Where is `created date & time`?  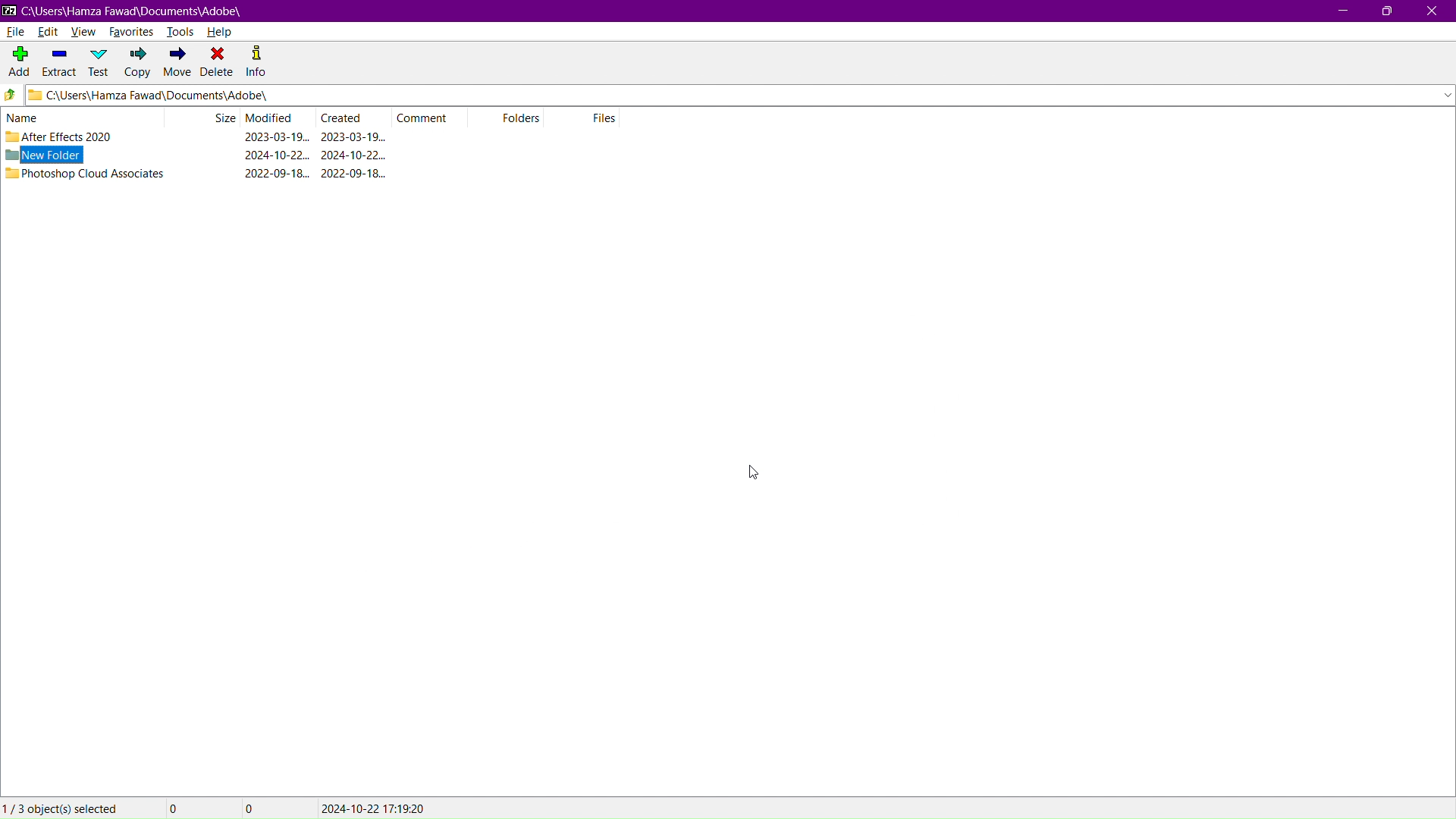
created date & time is located at coordinates (354, 155).